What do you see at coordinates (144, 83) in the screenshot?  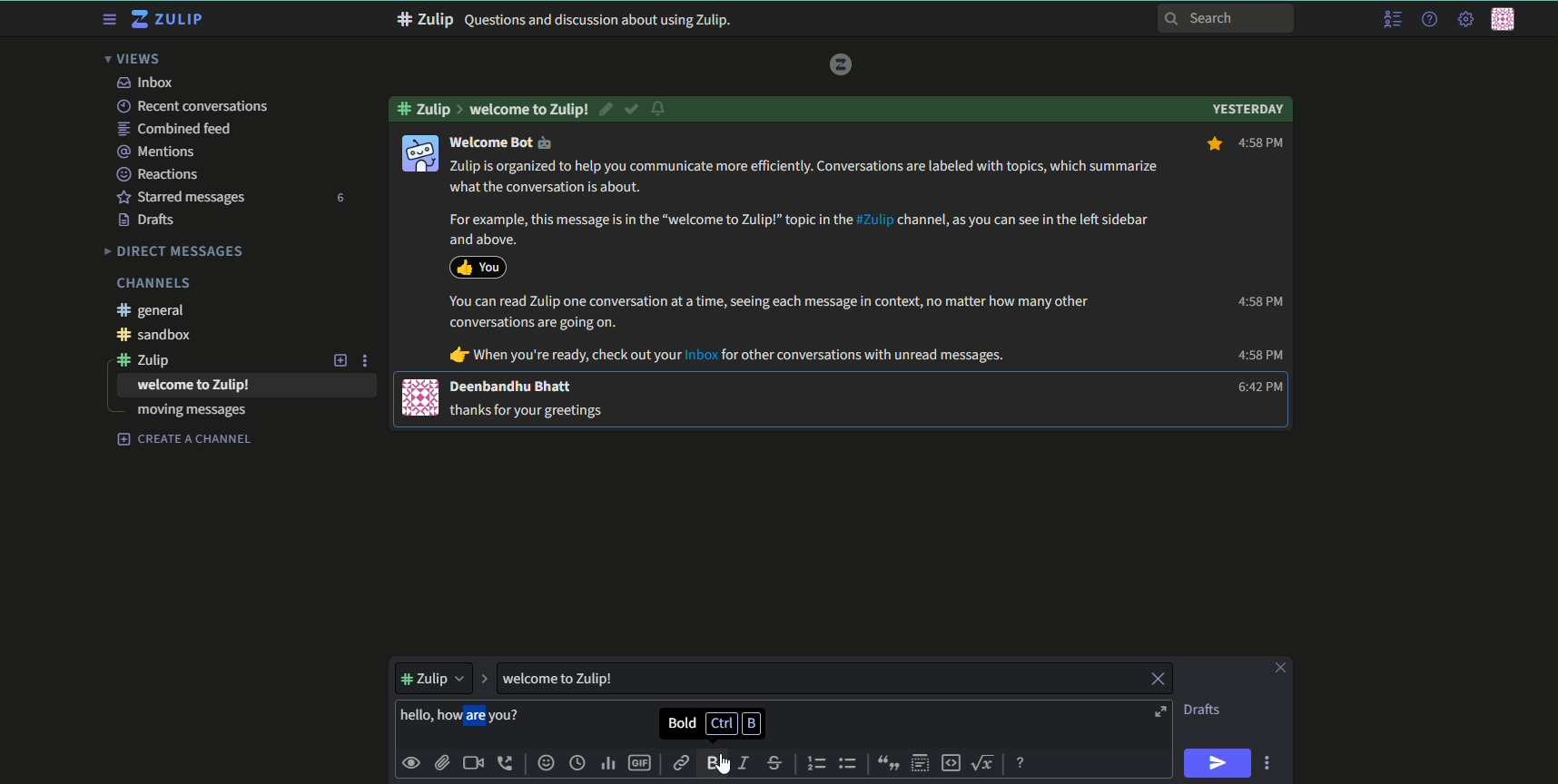 I see `inbox` at bounding box center [144, 83].